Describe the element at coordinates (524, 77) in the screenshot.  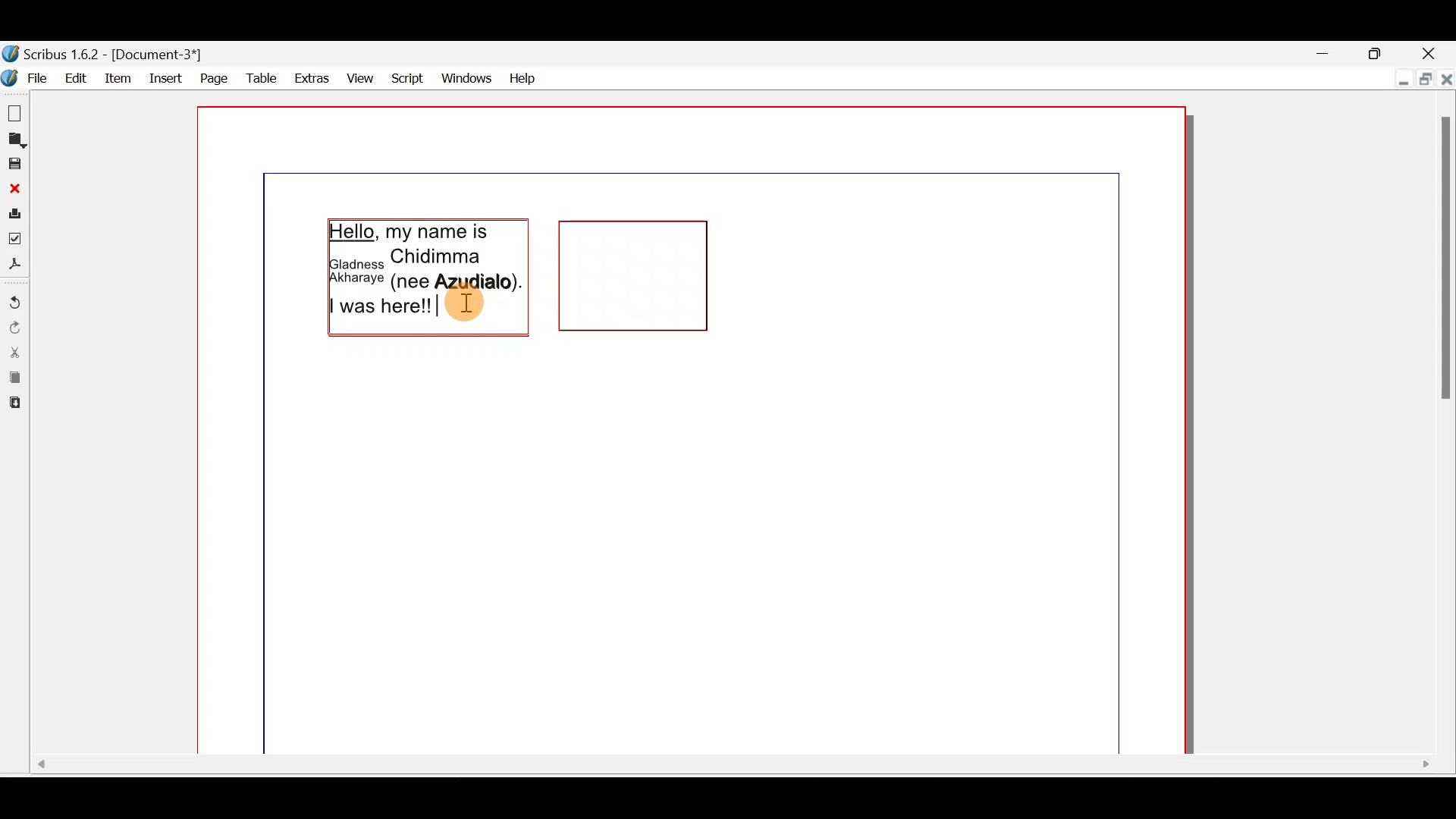
I see `Help` at that location.